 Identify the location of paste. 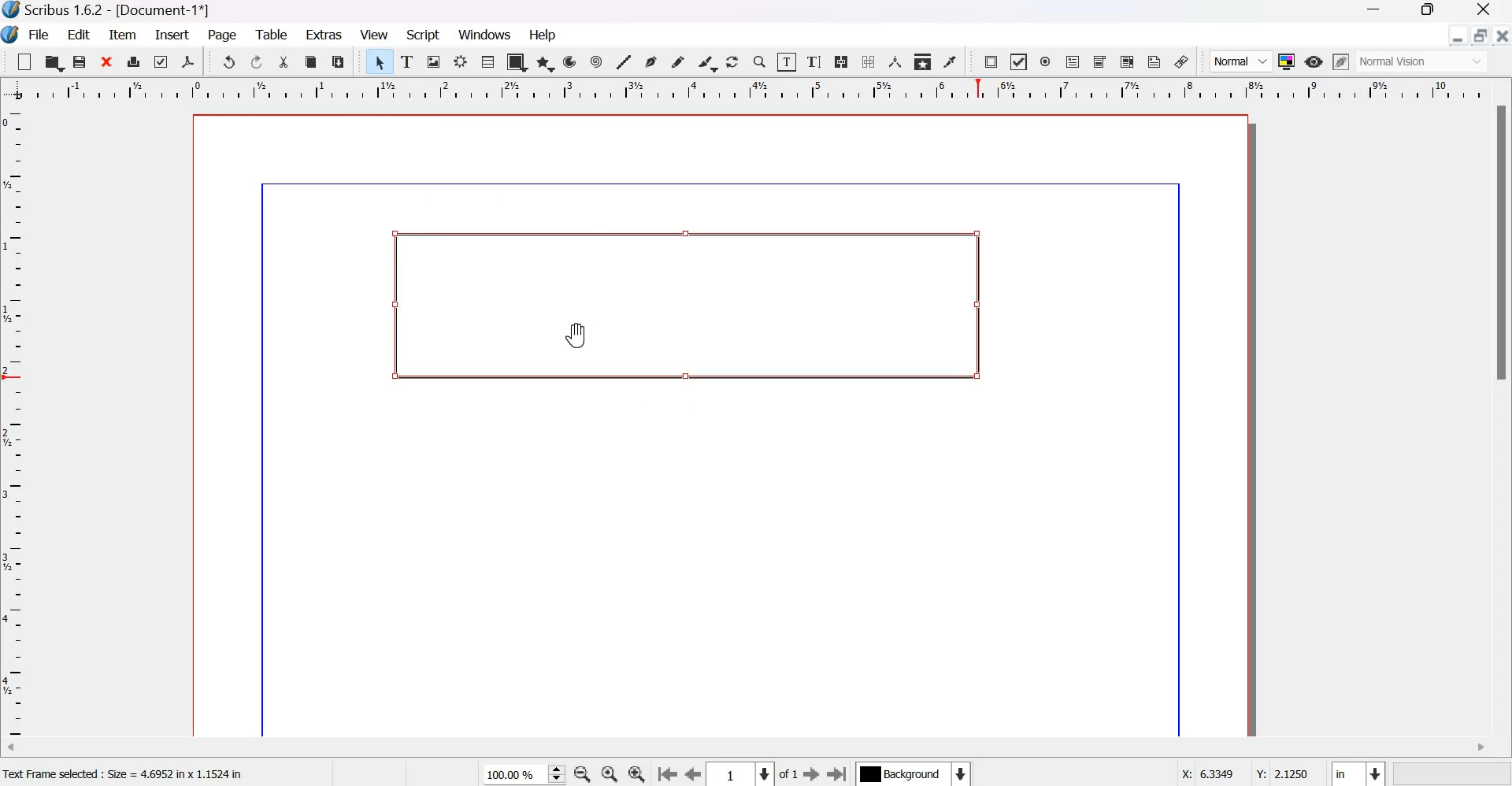
(339, 61).